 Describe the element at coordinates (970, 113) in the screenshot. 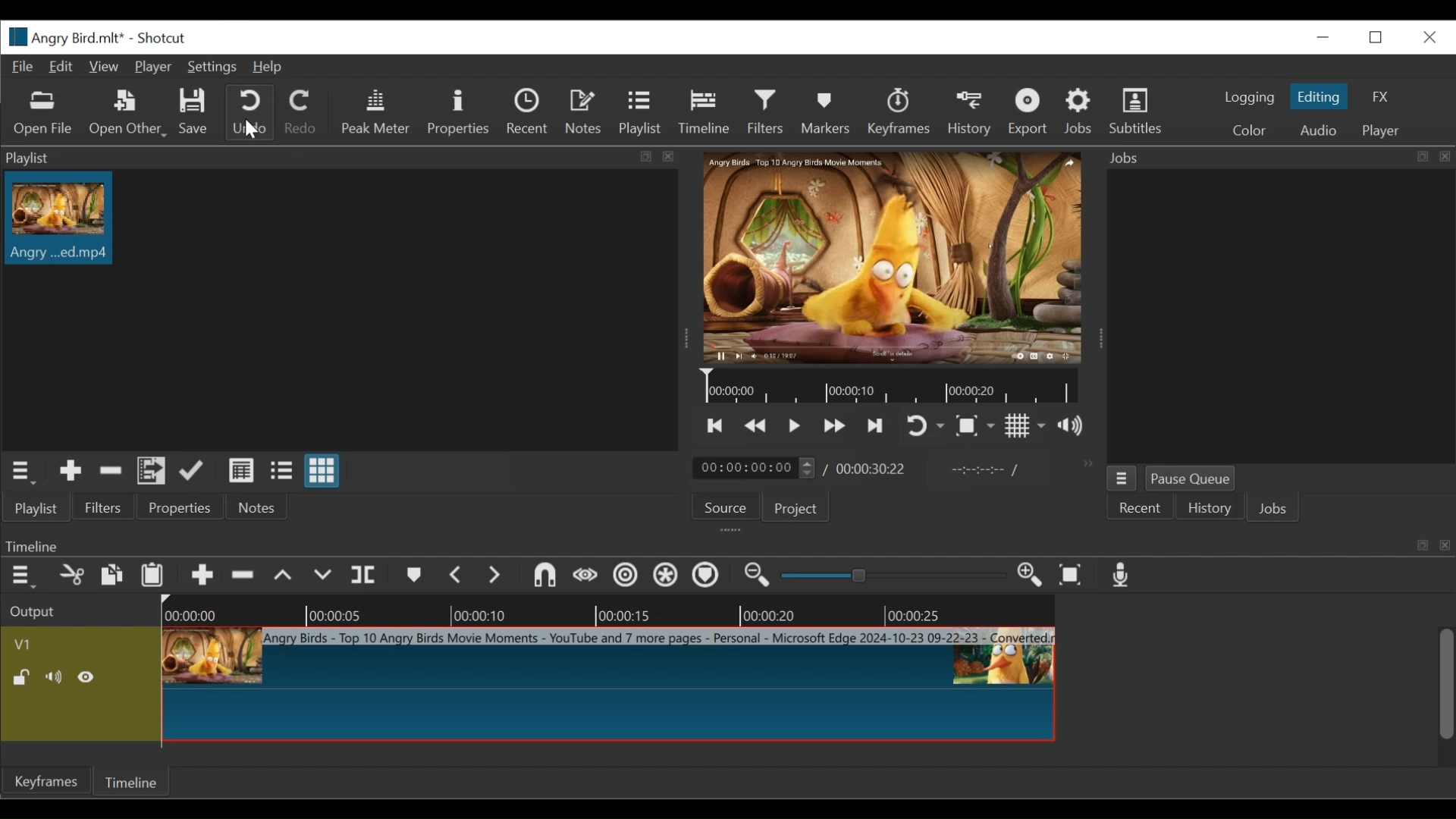

I see `History` at that location.